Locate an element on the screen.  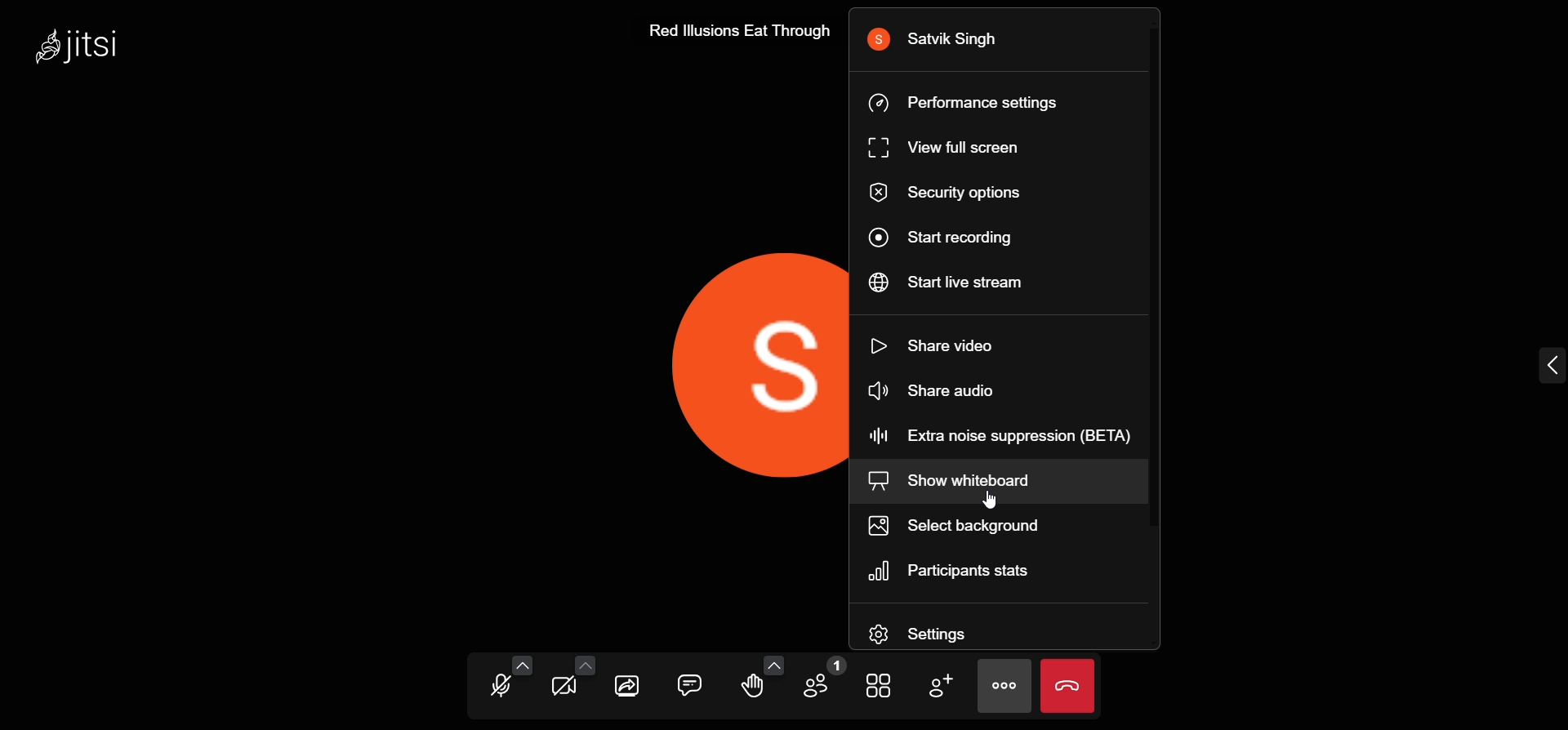
participants is located at coordinates (818, 681).